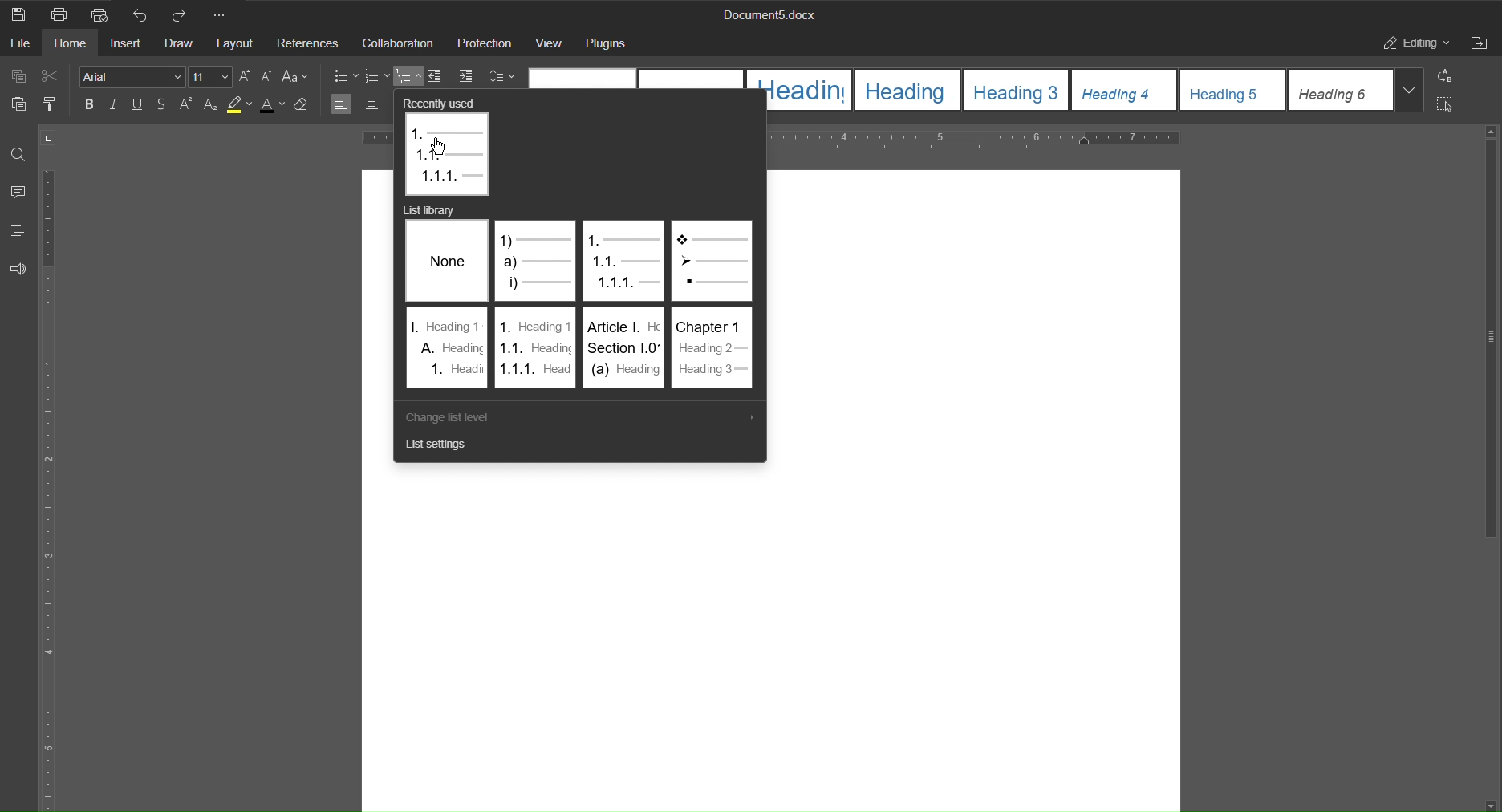 The height and width of the screenshot is (812, 1502). I want to click on Font Style, so click(132, 76).